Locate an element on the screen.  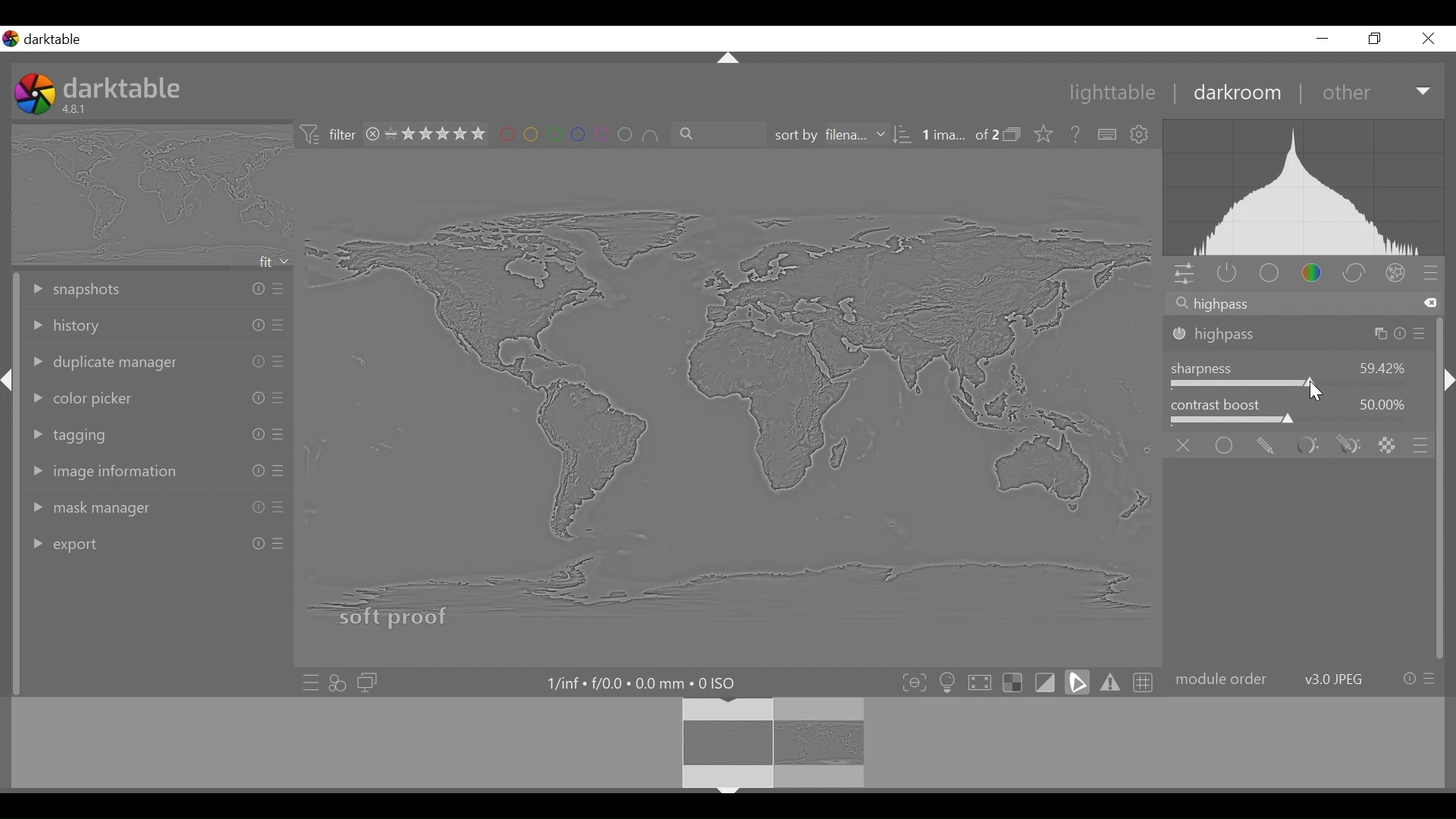
presets is located at coordinates (1431, 271).